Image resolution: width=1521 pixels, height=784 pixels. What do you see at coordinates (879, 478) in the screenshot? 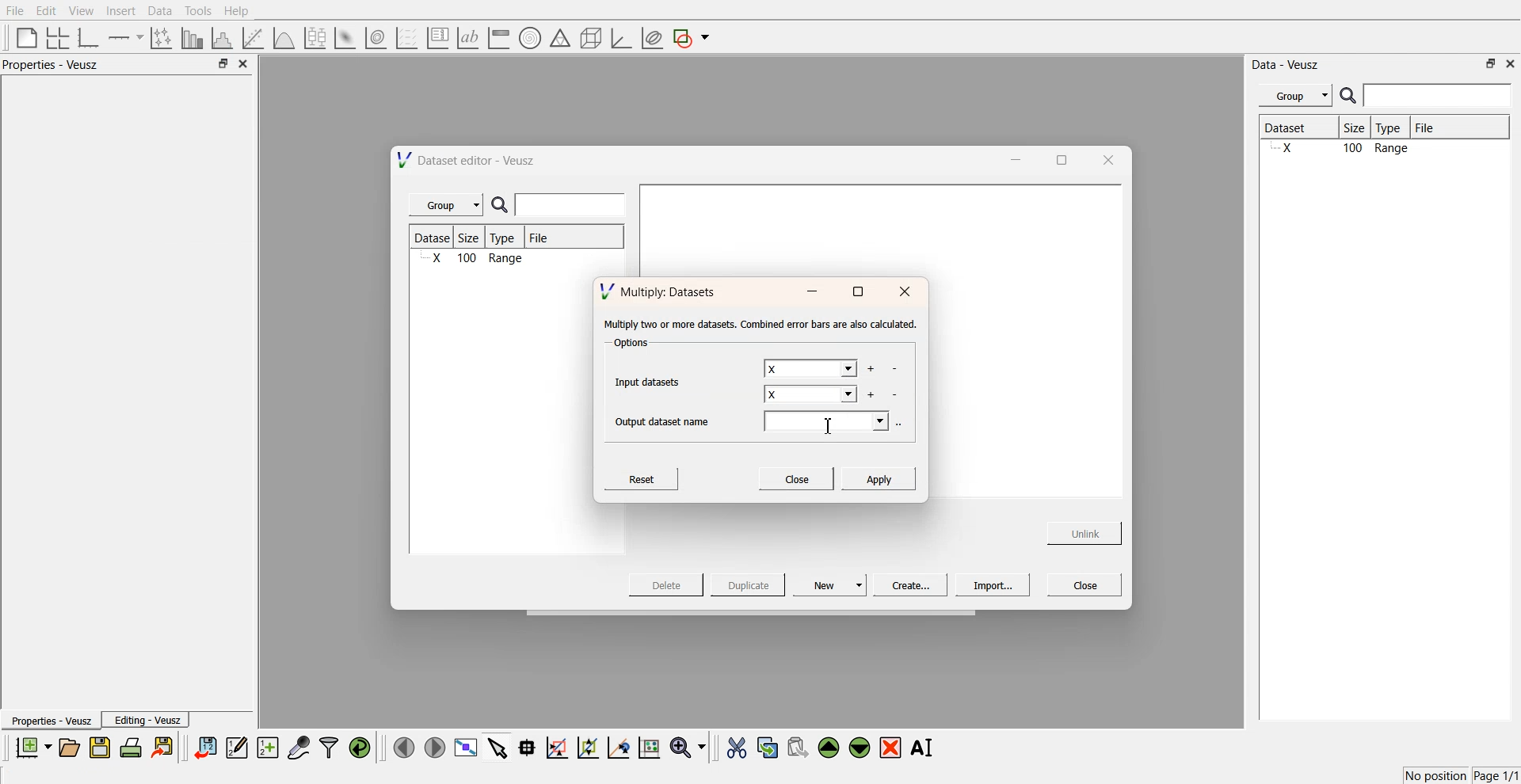
I see `Apply` at bounding box center [879, 478].